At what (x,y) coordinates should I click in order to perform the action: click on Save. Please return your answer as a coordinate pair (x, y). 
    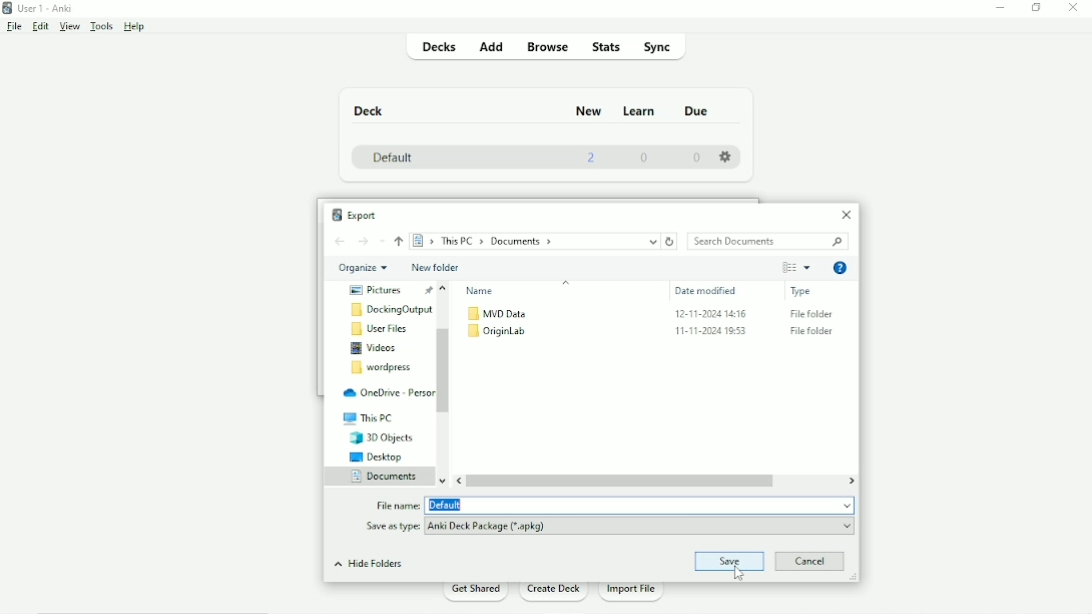
    Looking at the image, I should click on (729, 564).